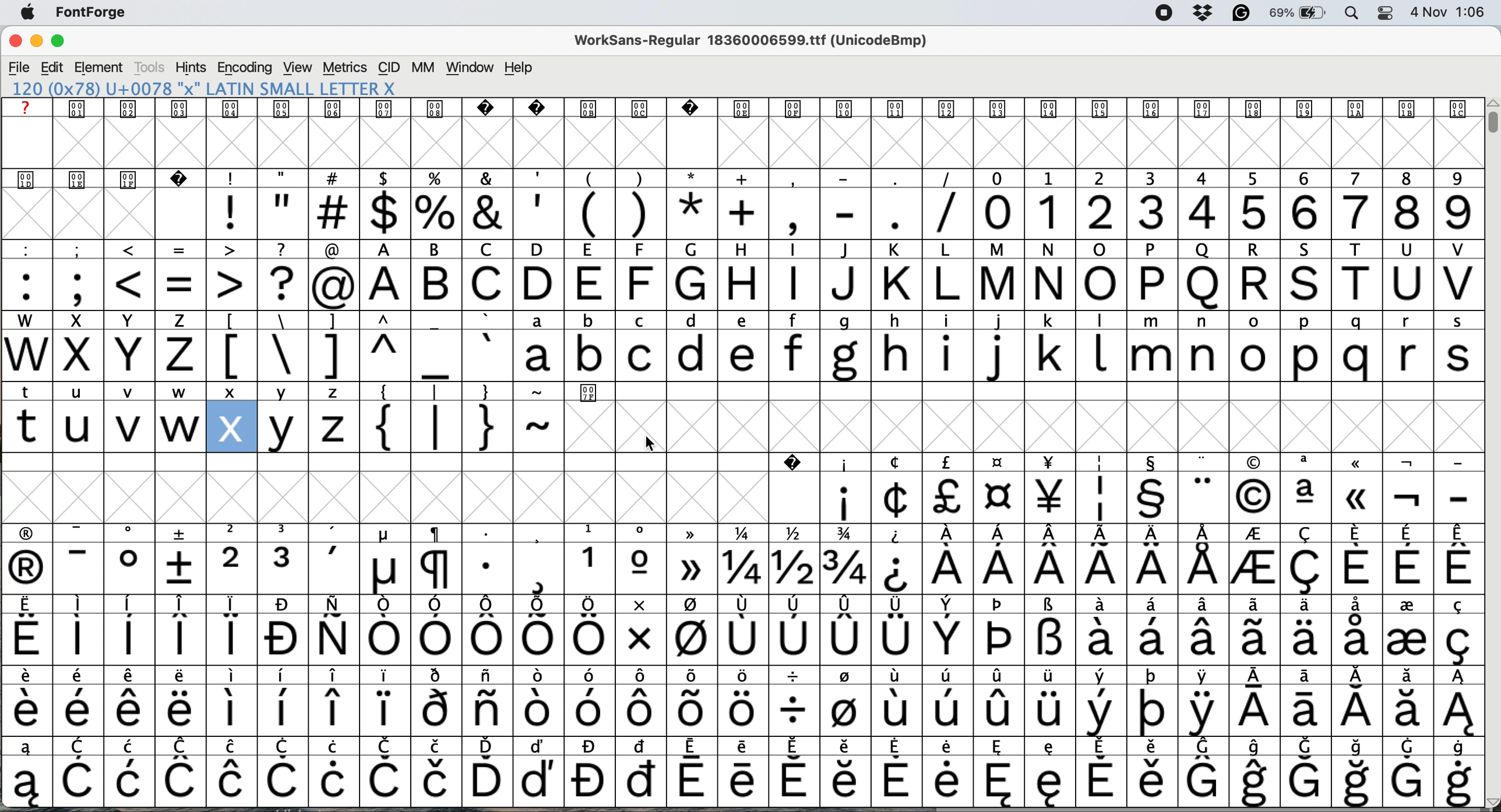 This screenshot has height=812, width=1501. I want to click on dropbox, so click(1201, 13).